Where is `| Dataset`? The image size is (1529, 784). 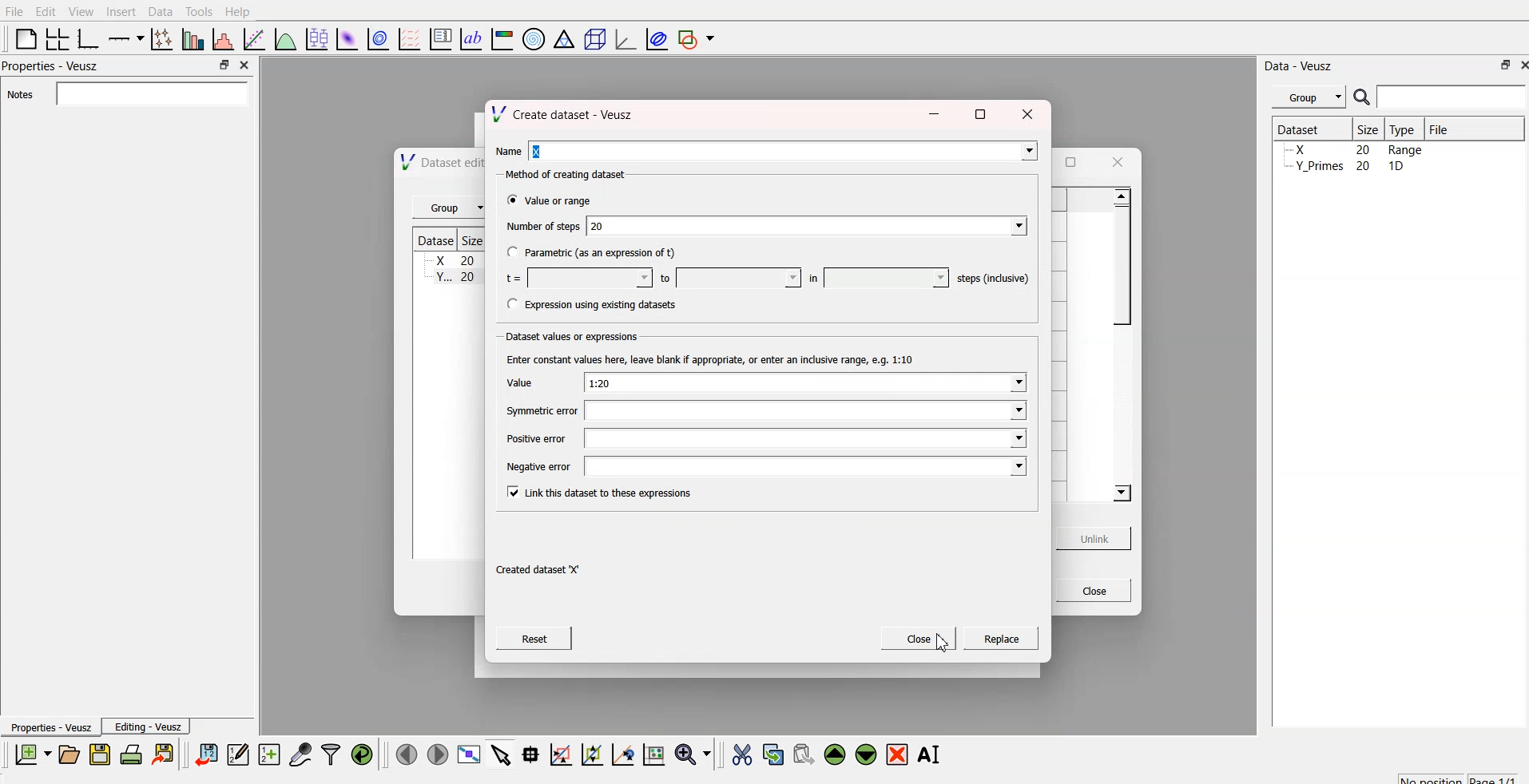
| Dataset is located at coordinates (1298, 128).